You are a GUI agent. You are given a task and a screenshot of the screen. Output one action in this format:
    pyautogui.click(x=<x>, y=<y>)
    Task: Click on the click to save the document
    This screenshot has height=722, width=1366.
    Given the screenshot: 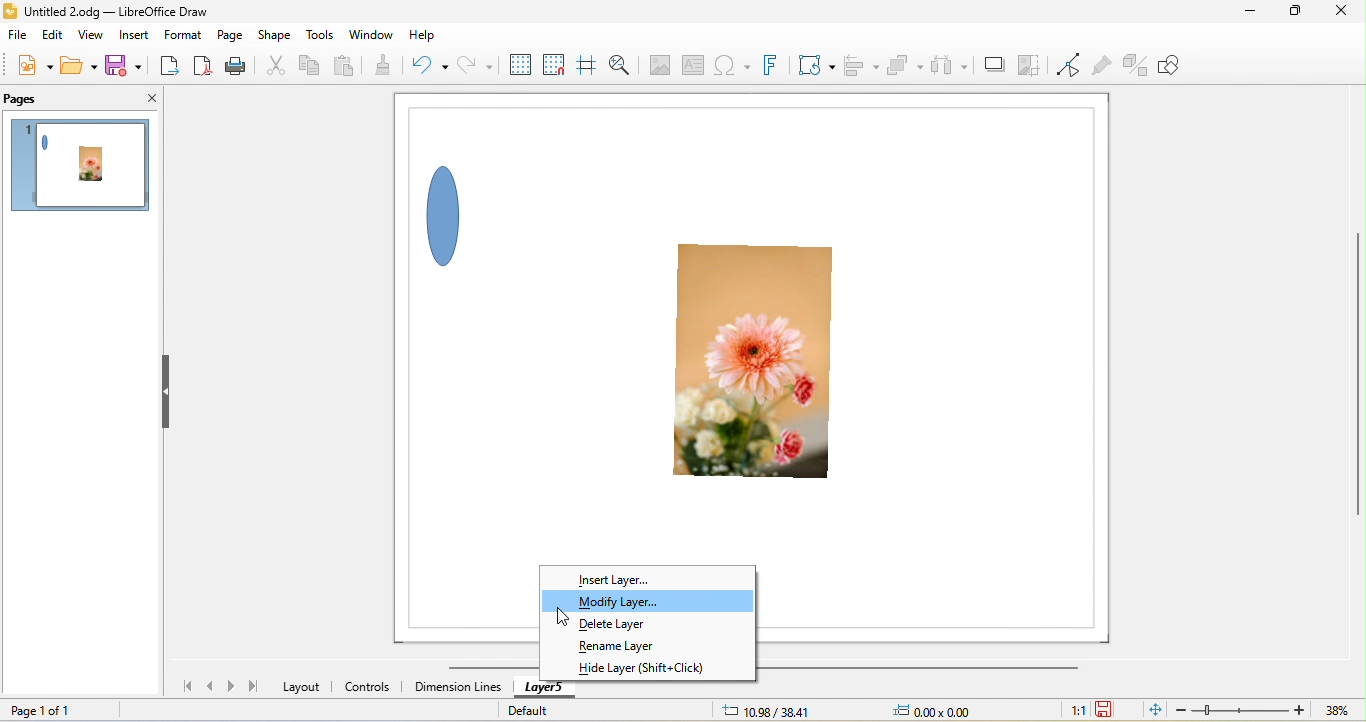 What is the action you would take?
    pyautogui.click(x=1106, y=710)
    